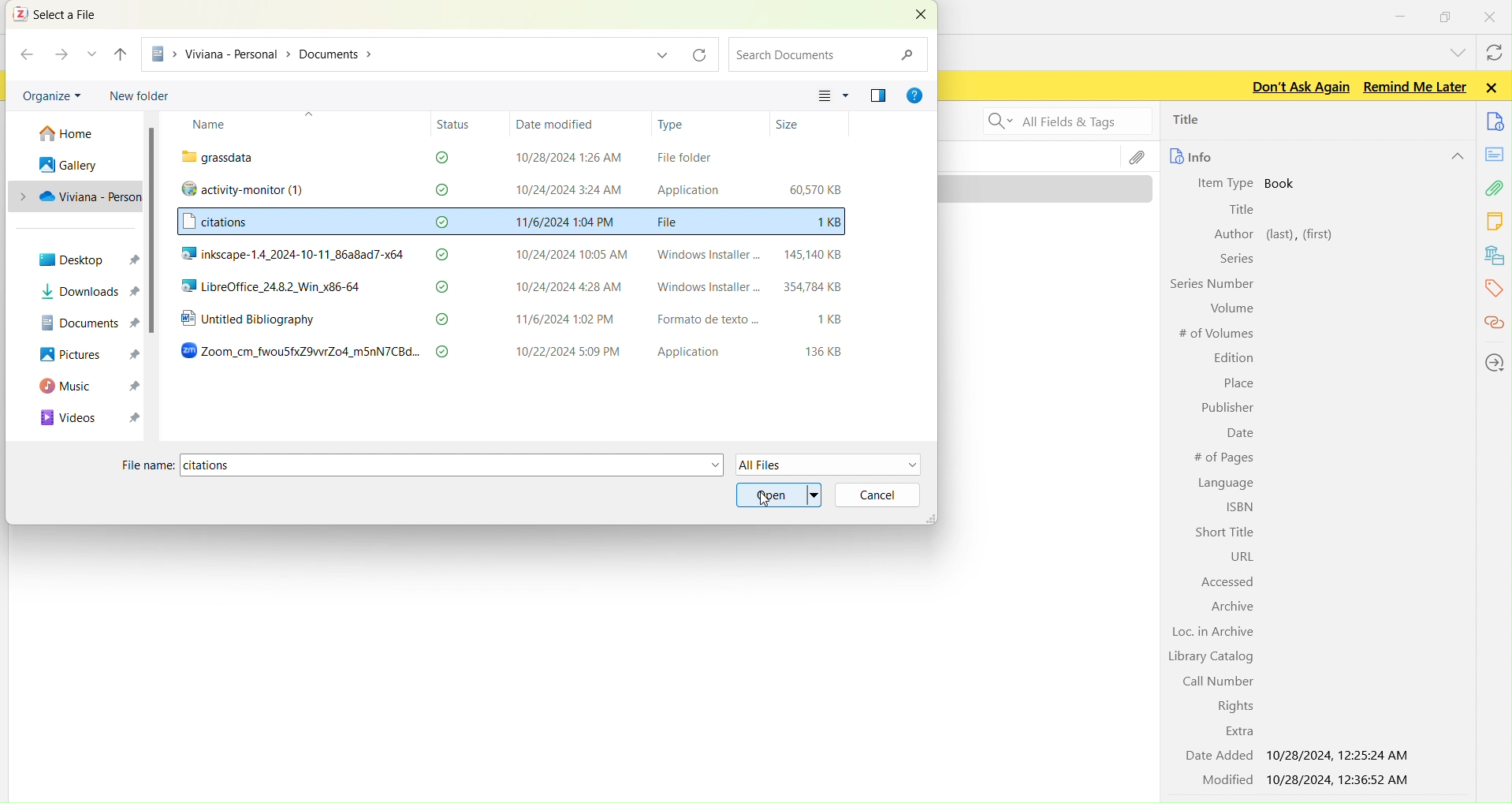 Image resolution: width=1512 pixels, height=803 pixels. What do you see at coordinates (704, 254) in the screenshot?
I see `Windows Installer - ` at bounding box center [704, 254].